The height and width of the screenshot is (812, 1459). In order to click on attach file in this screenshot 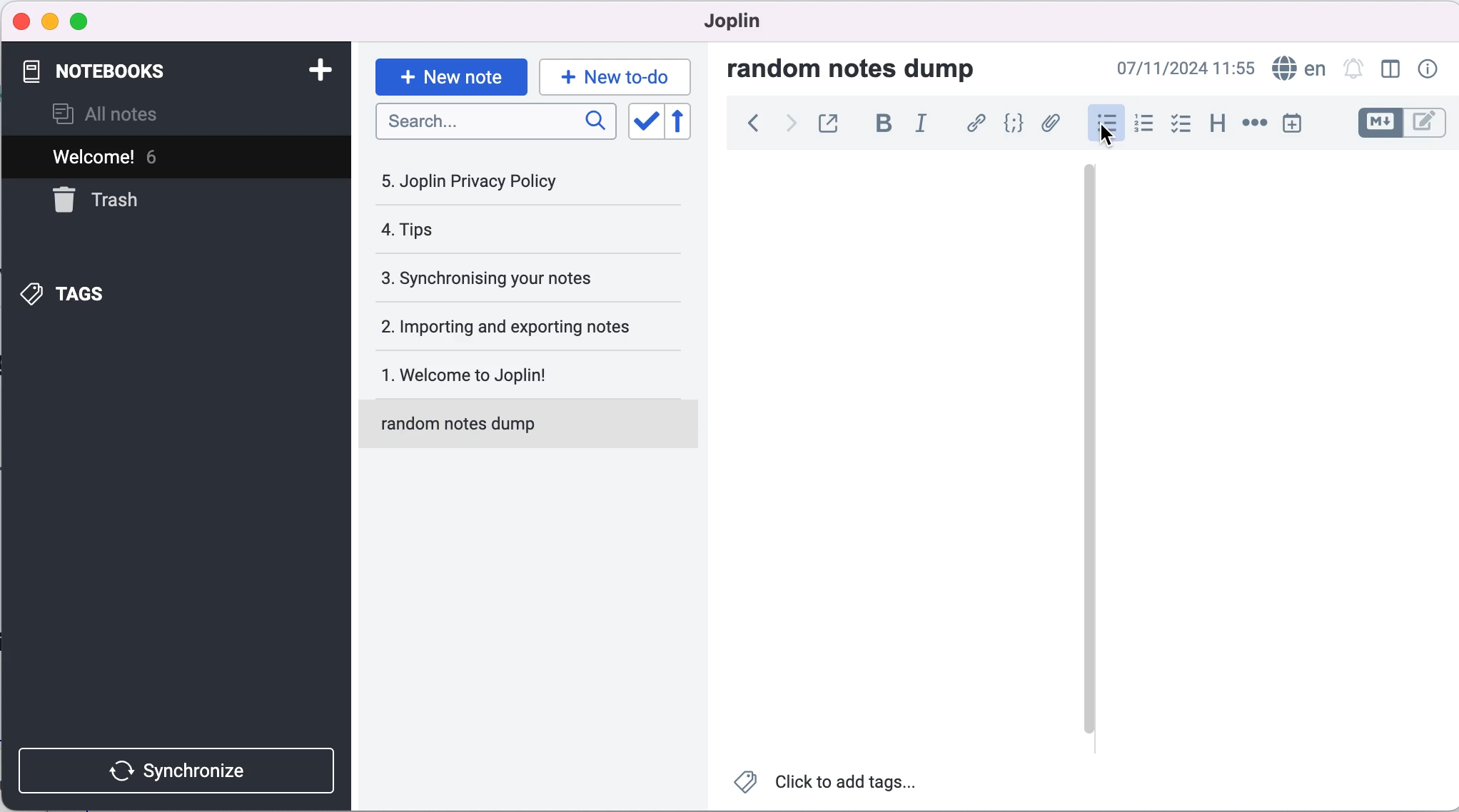, I will do `click(1049, 125)`.